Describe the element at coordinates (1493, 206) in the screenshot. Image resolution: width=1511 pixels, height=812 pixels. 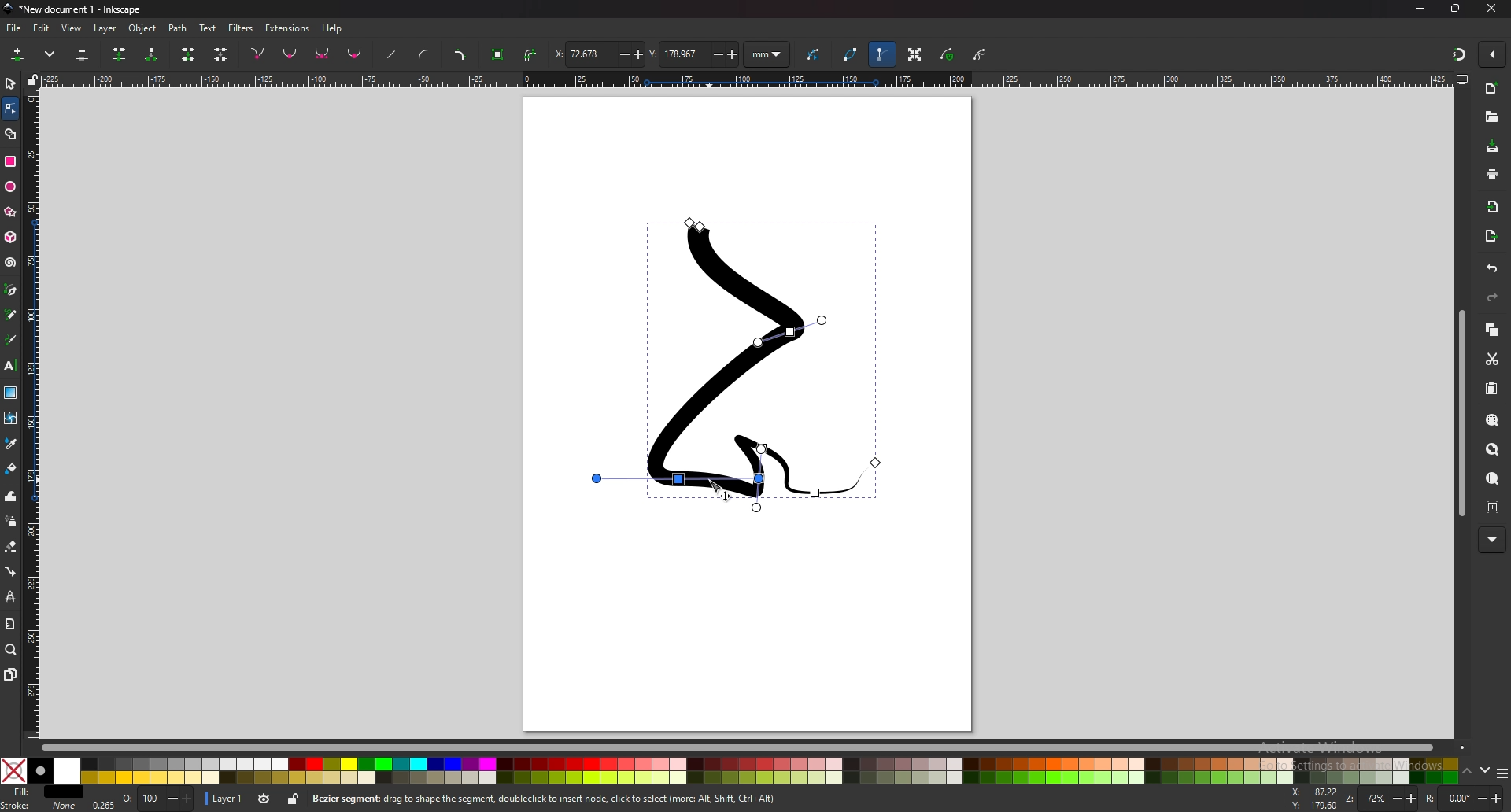
I see `import` at that location.